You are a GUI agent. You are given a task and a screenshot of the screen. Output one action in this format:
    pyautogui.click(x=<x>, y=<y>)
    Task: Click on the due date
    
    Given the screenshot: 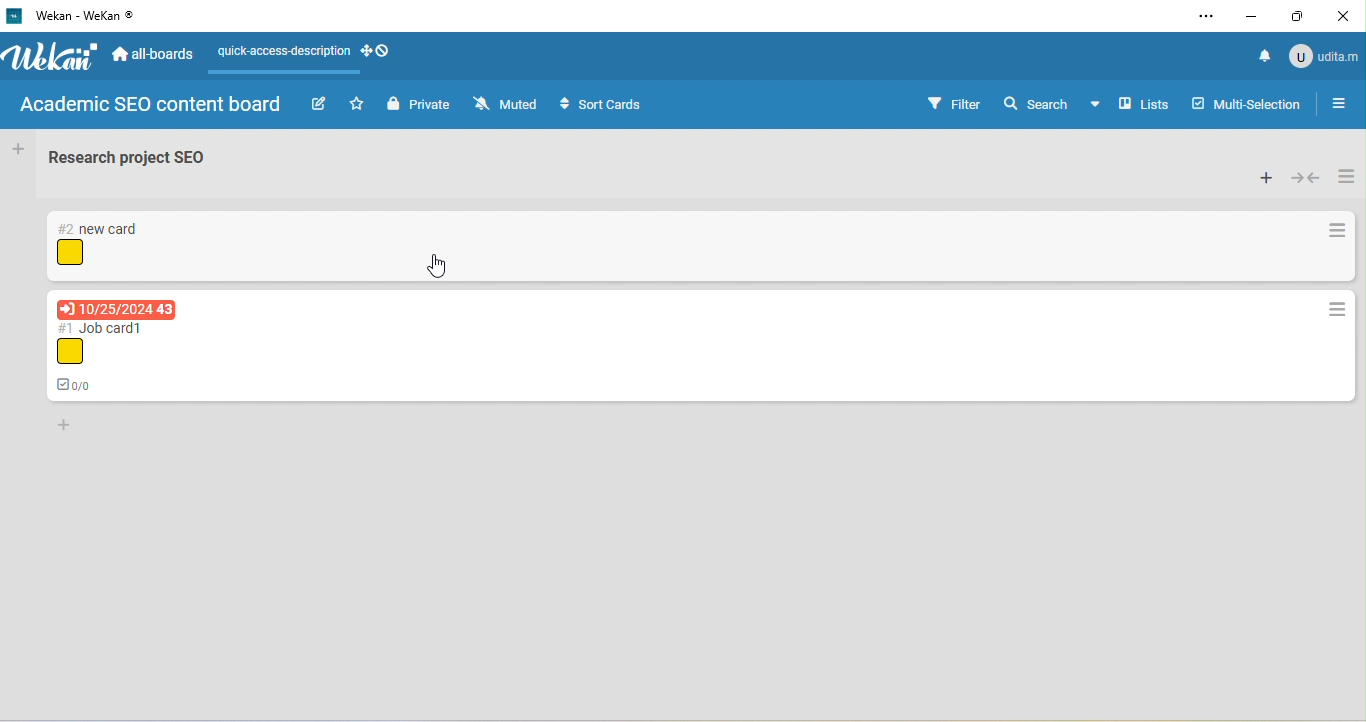 What is the action you would take?
    pyautogui.click(x=116, y=309)
    